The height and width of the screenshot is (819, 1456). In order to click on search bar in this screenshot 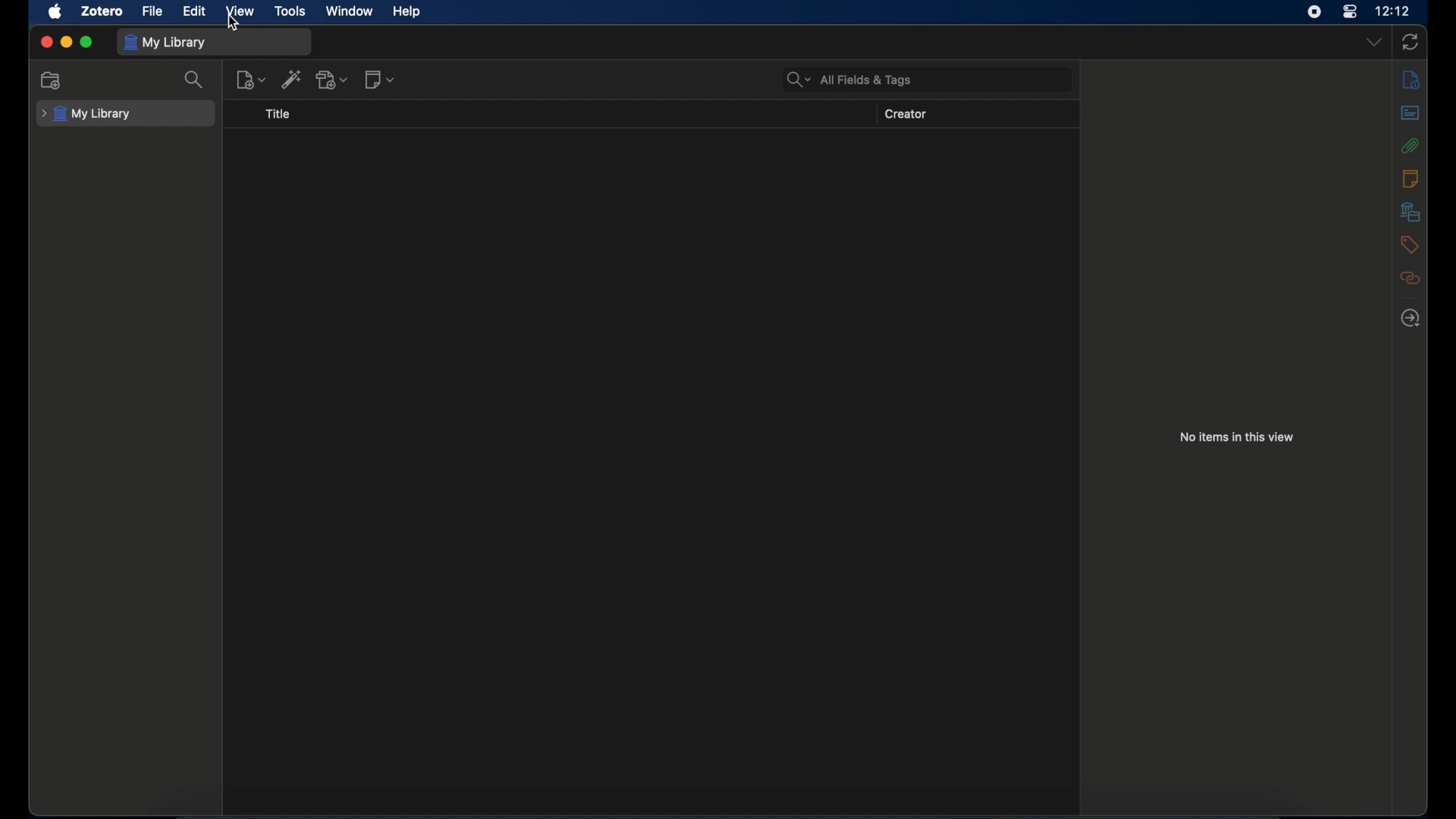, I will do `click(849, 79)`.